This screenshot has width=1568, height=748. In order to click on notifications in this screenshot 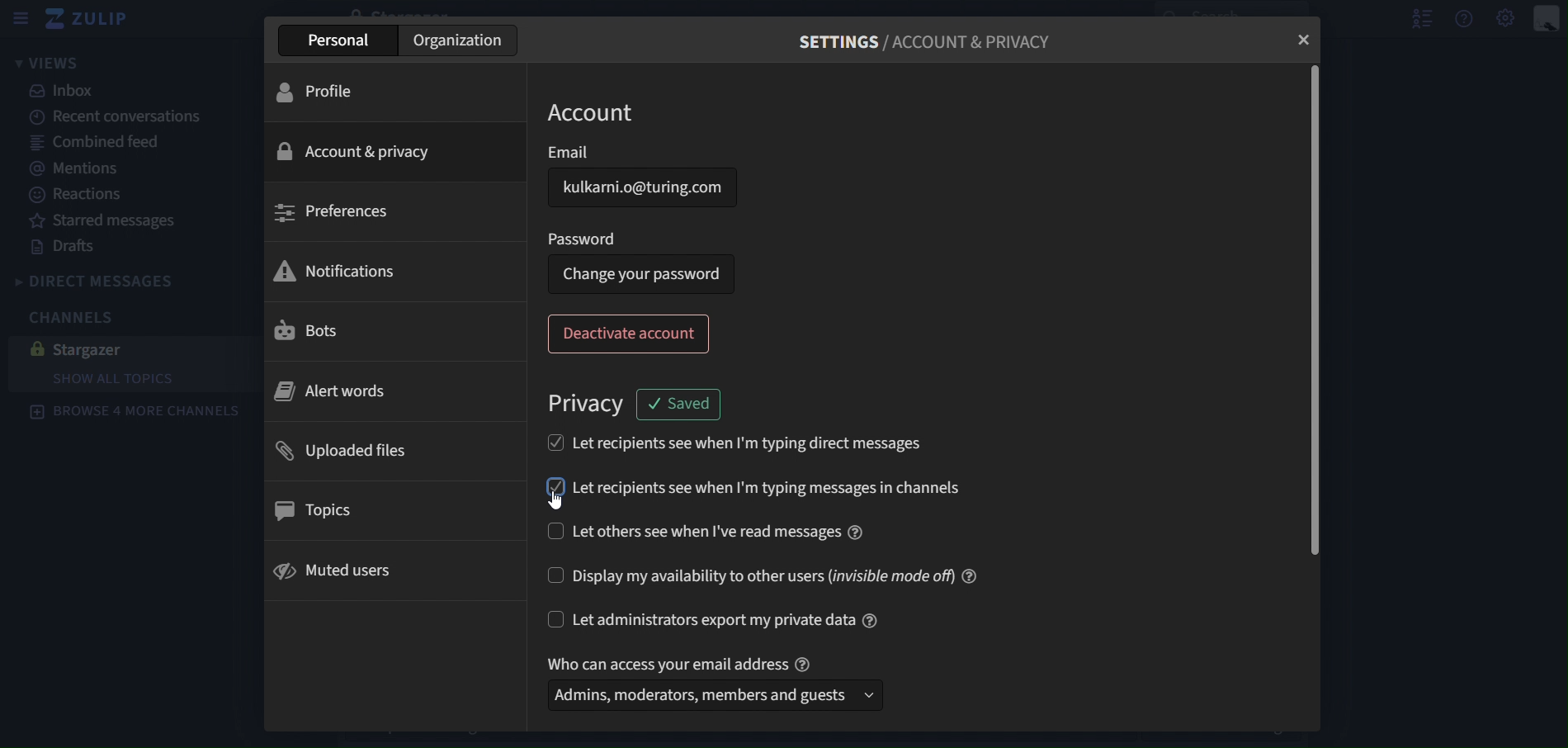, I will do `click(341, 272)`.